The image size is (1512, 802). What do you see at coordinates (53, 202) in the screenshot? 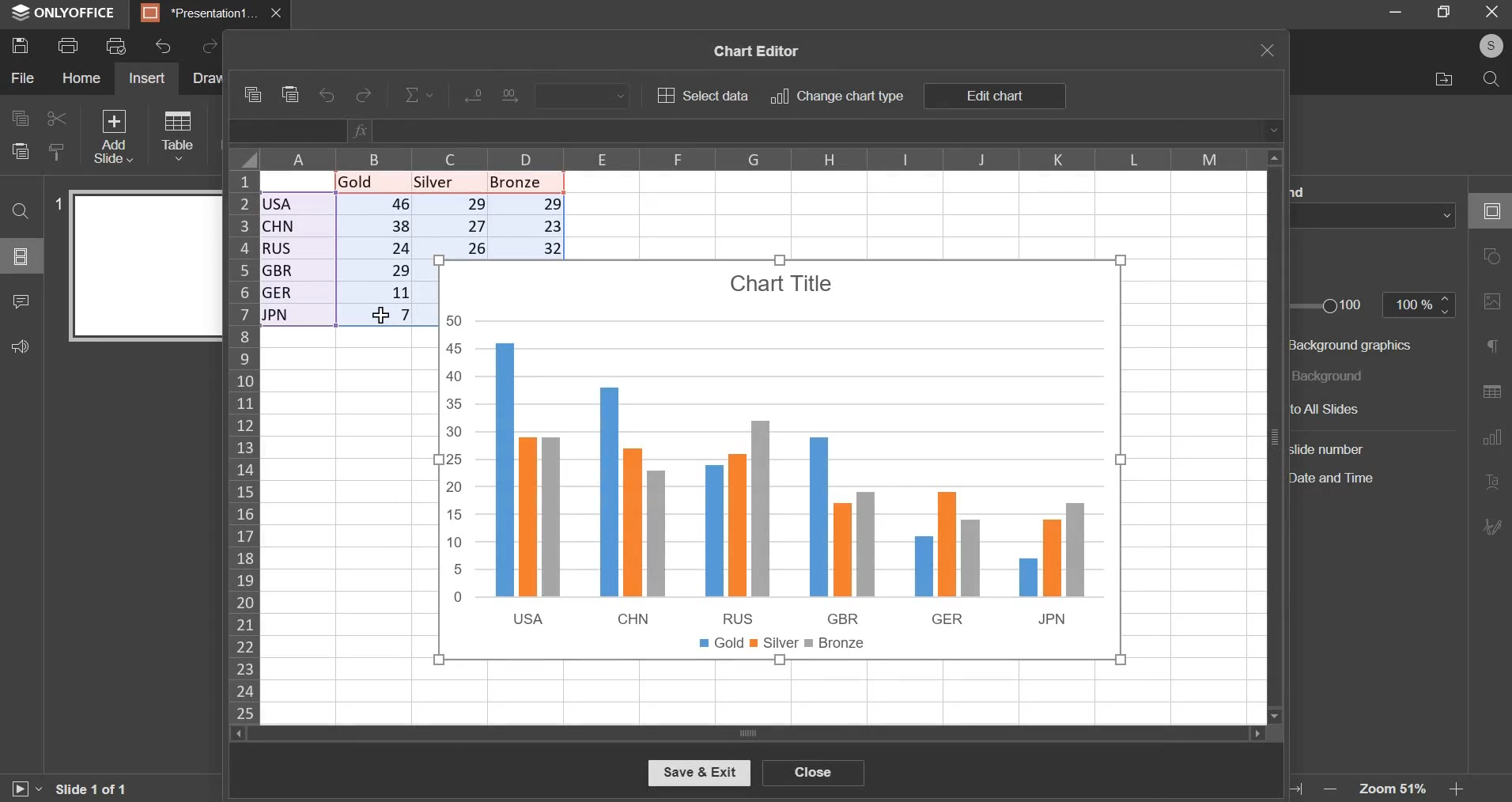
I see `slide number` at bounding box center [53, 202].